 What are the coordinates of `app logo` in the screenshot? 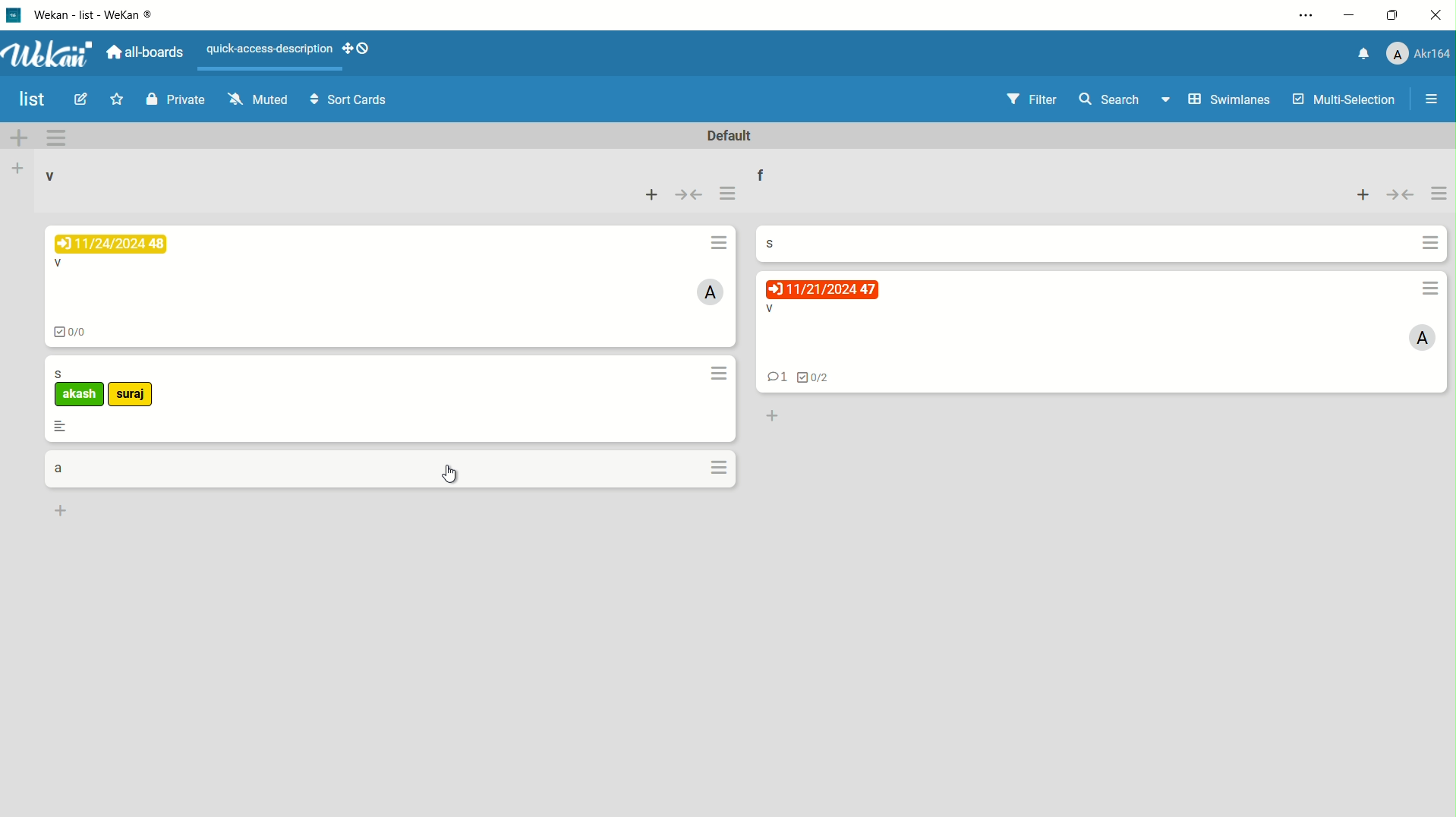 It's located at (49, 52).